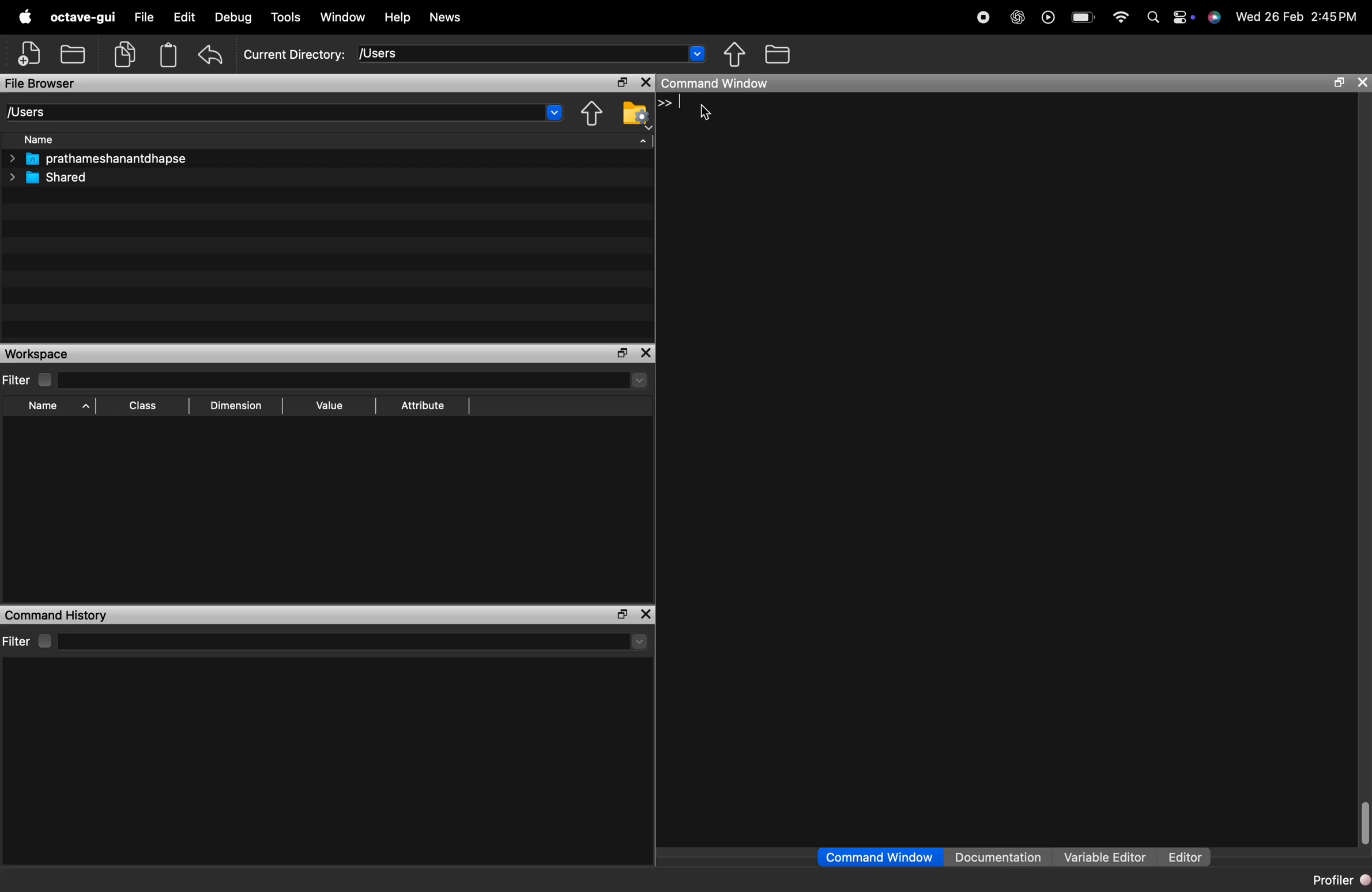  I want to click on File, so click(141, 14).